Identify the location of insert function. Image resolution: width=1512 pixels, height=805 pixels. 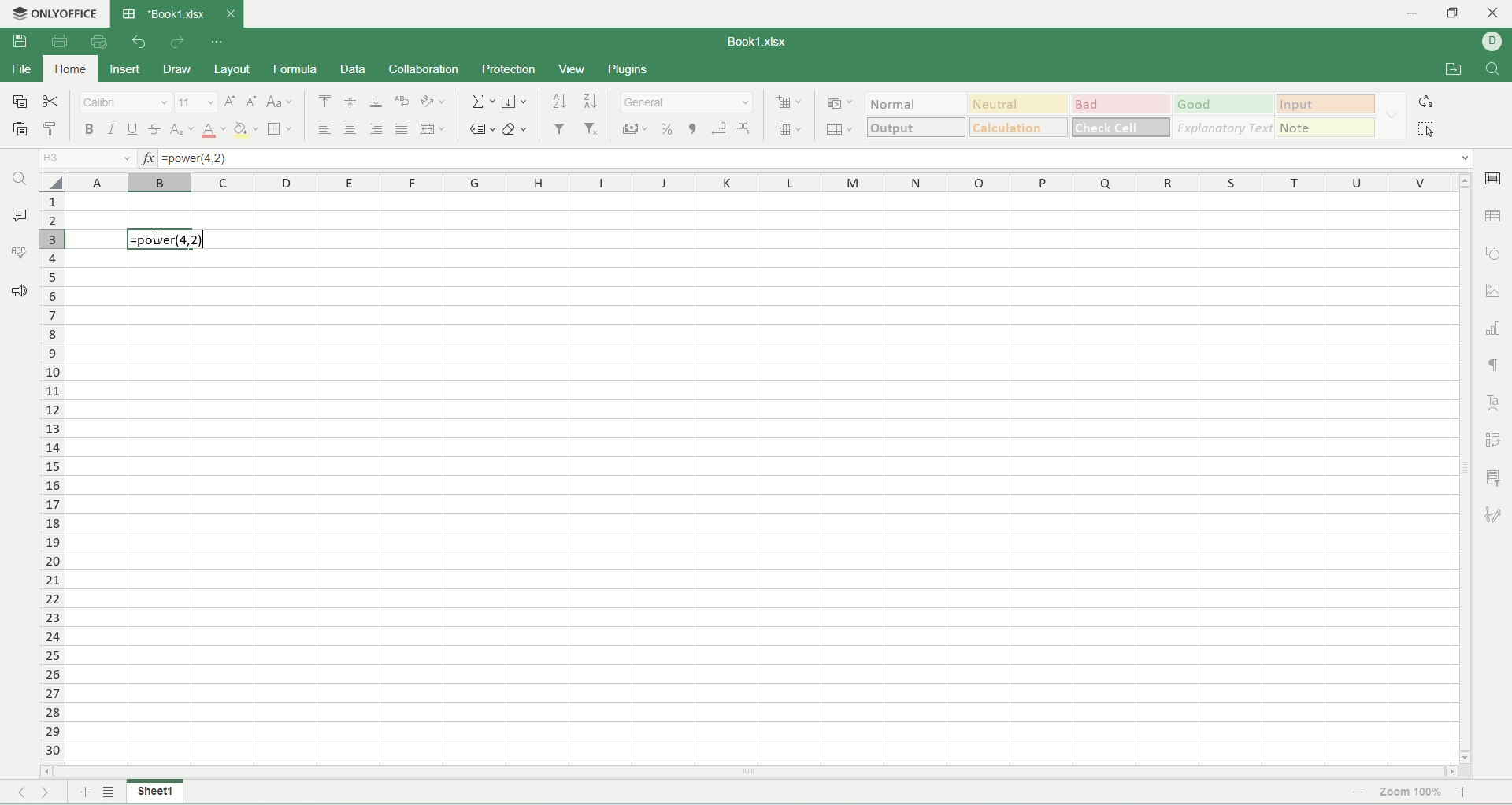
(146, 157).